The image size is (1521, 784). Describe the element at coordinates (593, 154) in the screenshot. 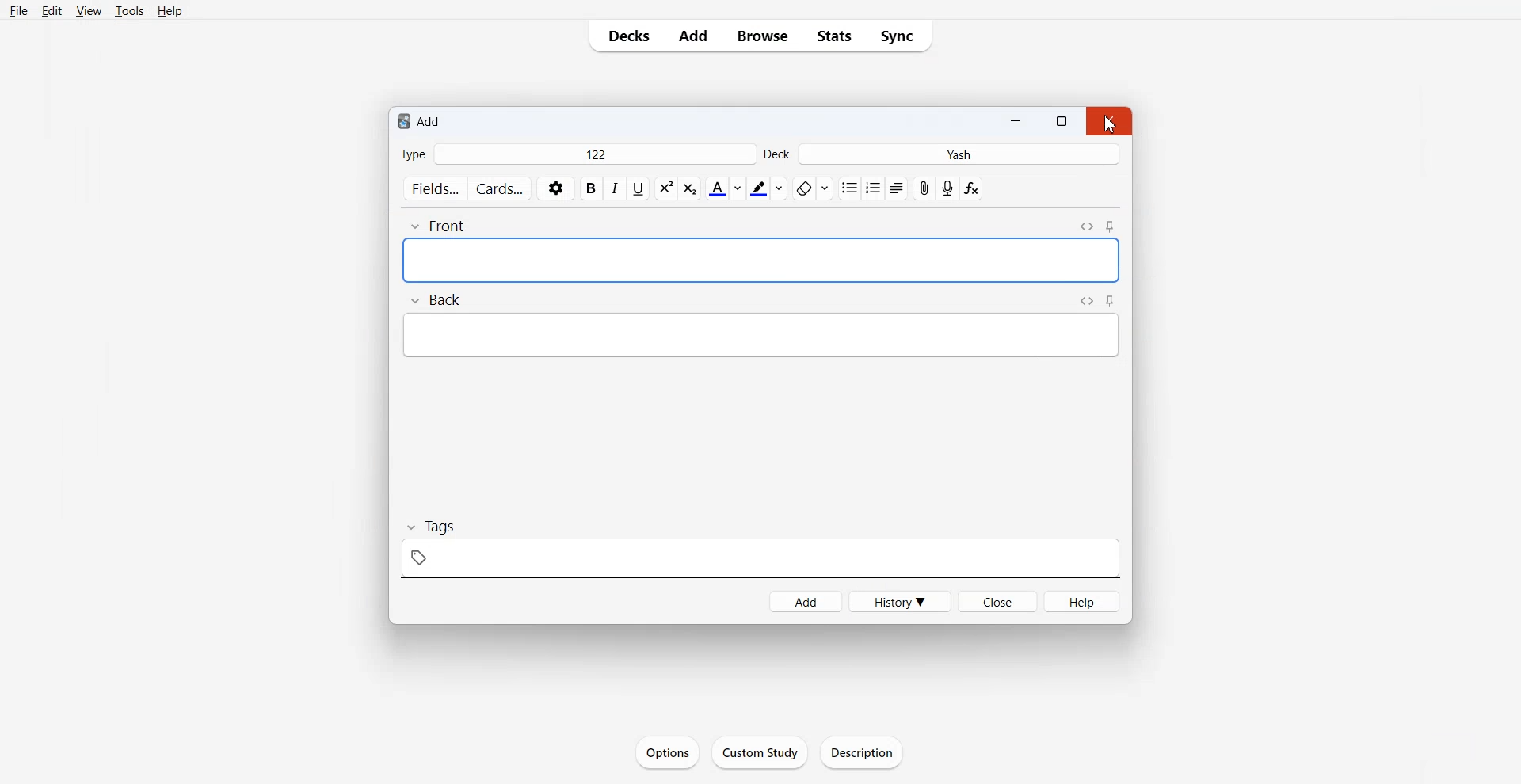

I see `122` at that location.